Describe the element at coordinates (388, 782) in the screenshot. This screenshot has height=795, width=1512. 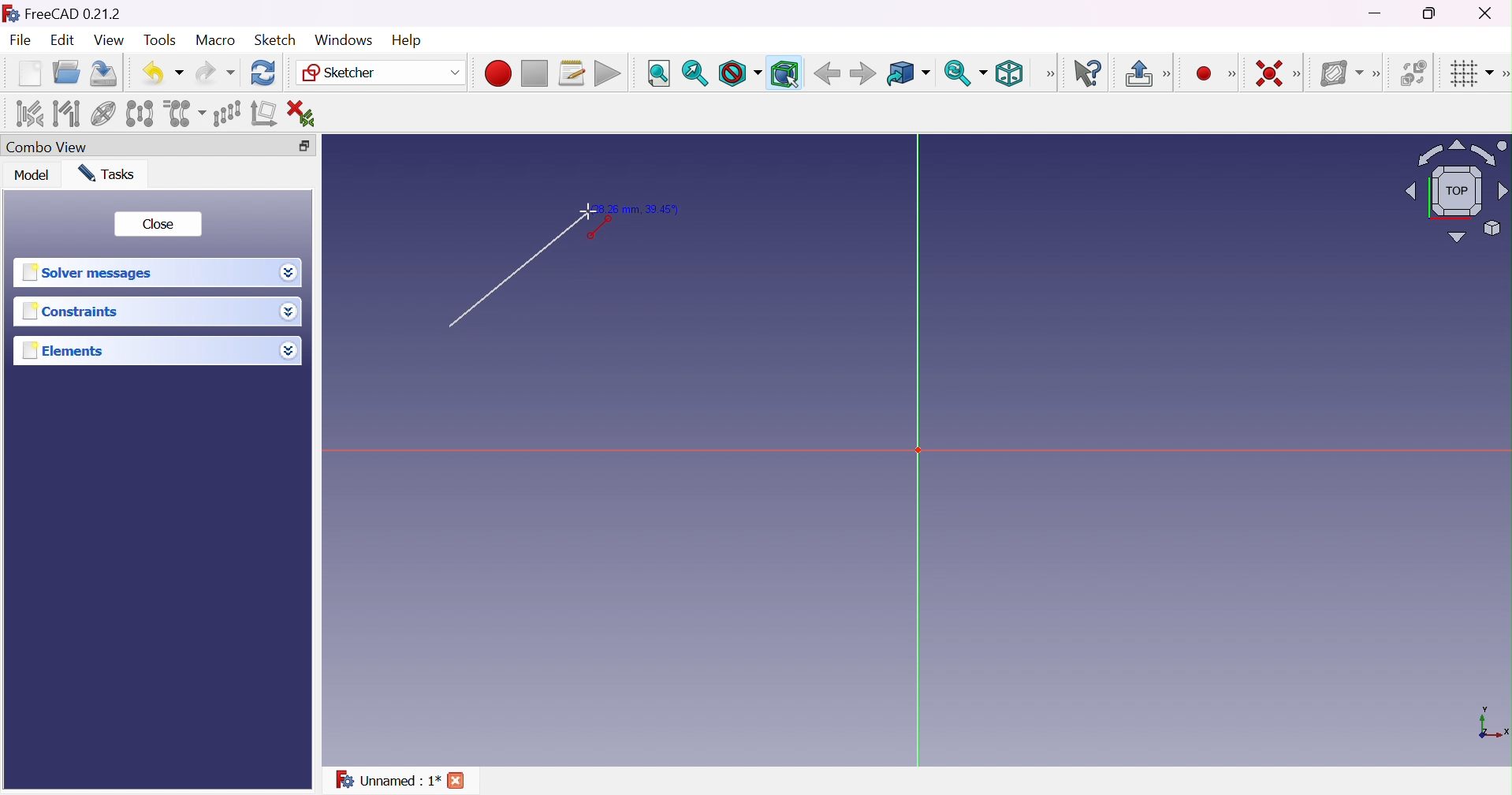
I see `Unnamed : 1*` at that location.